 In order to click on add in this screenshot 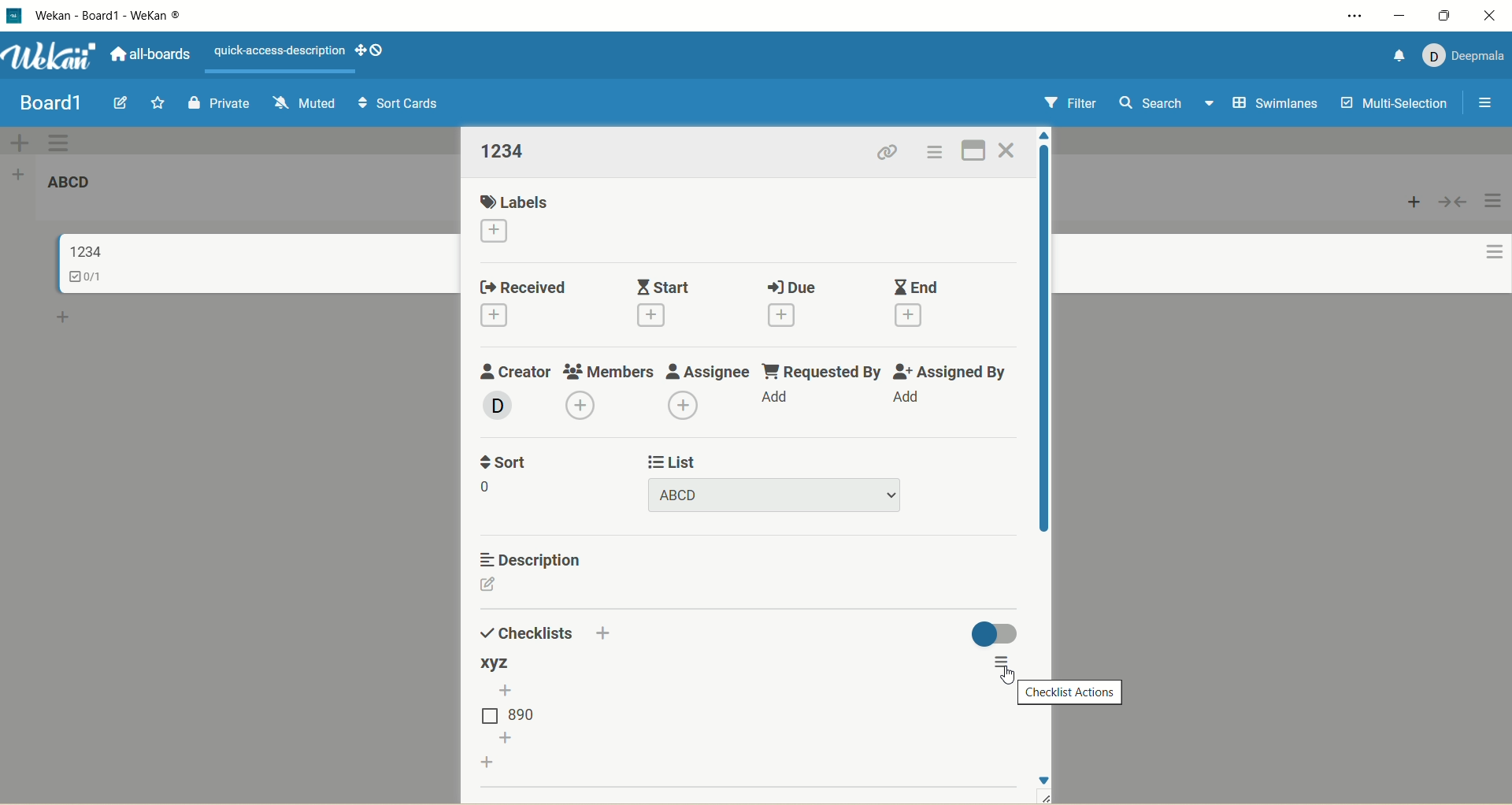, I will do `click(913, 317)`.